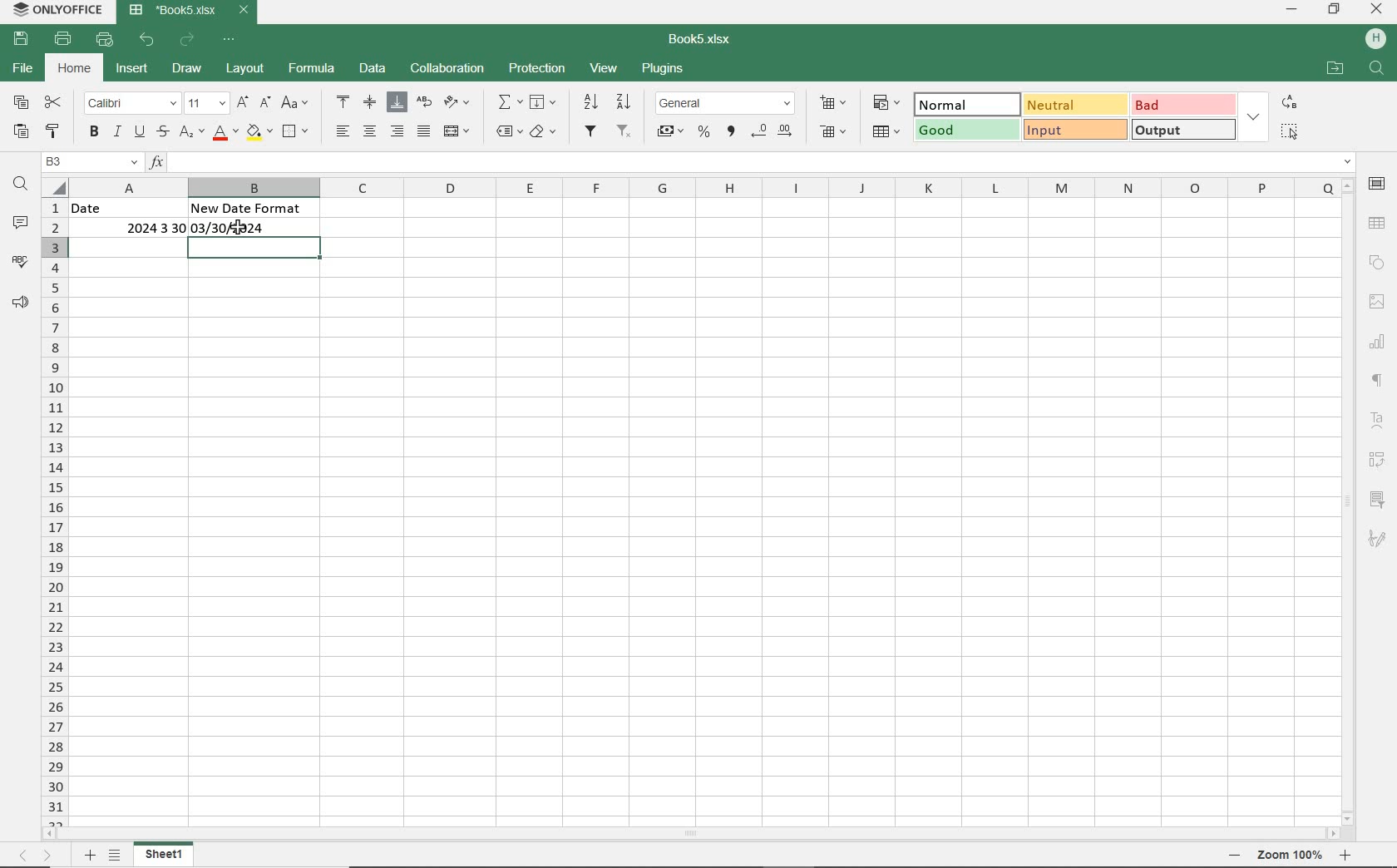  What do you see at coordinates (623, 133) in the screenshot?
I see `REMOVE FILTER` at bounding box center [623, 133].